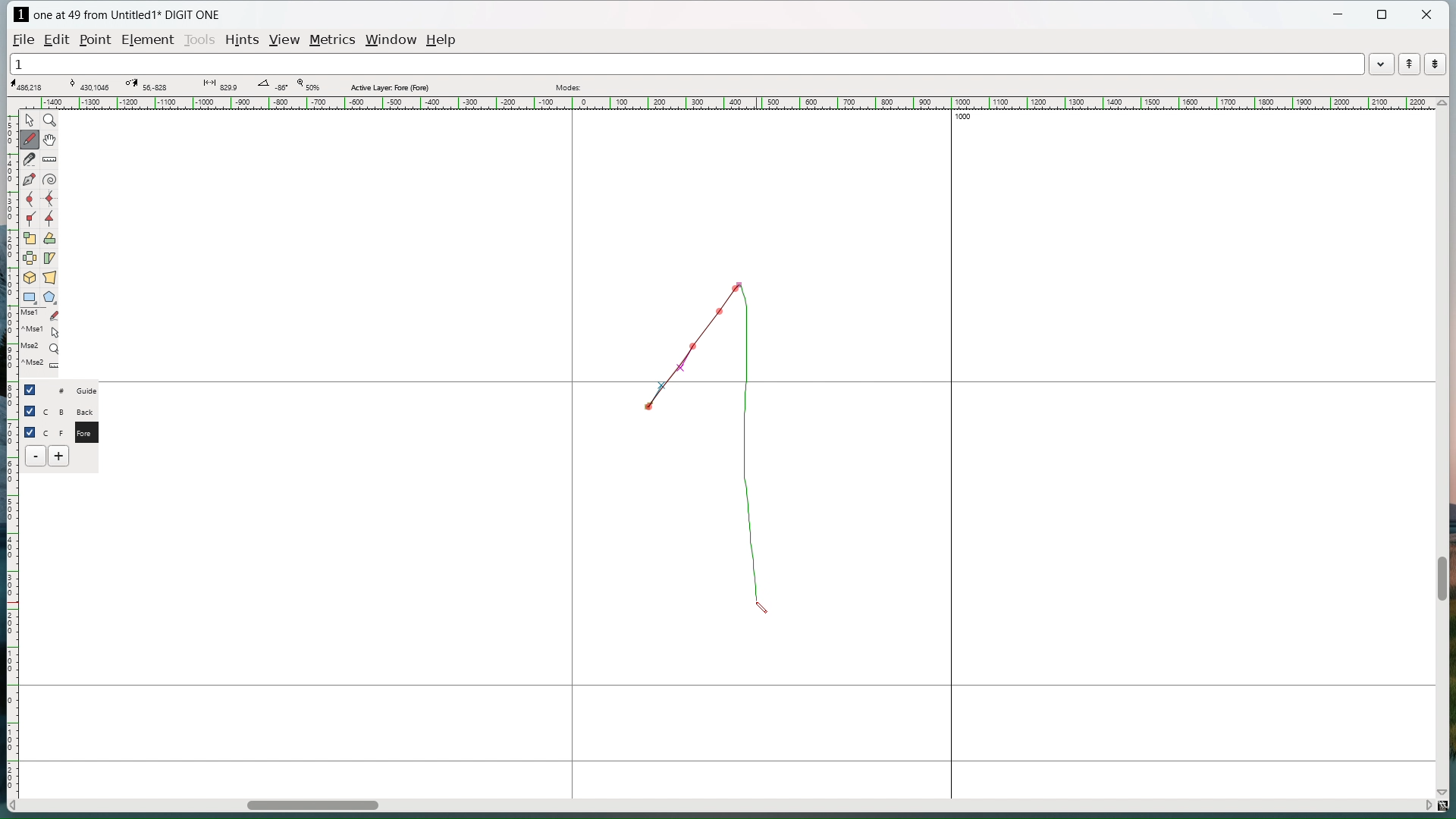 This screenshot has height=819, width=1456. I want to click on skew selection, so click(50, 258).